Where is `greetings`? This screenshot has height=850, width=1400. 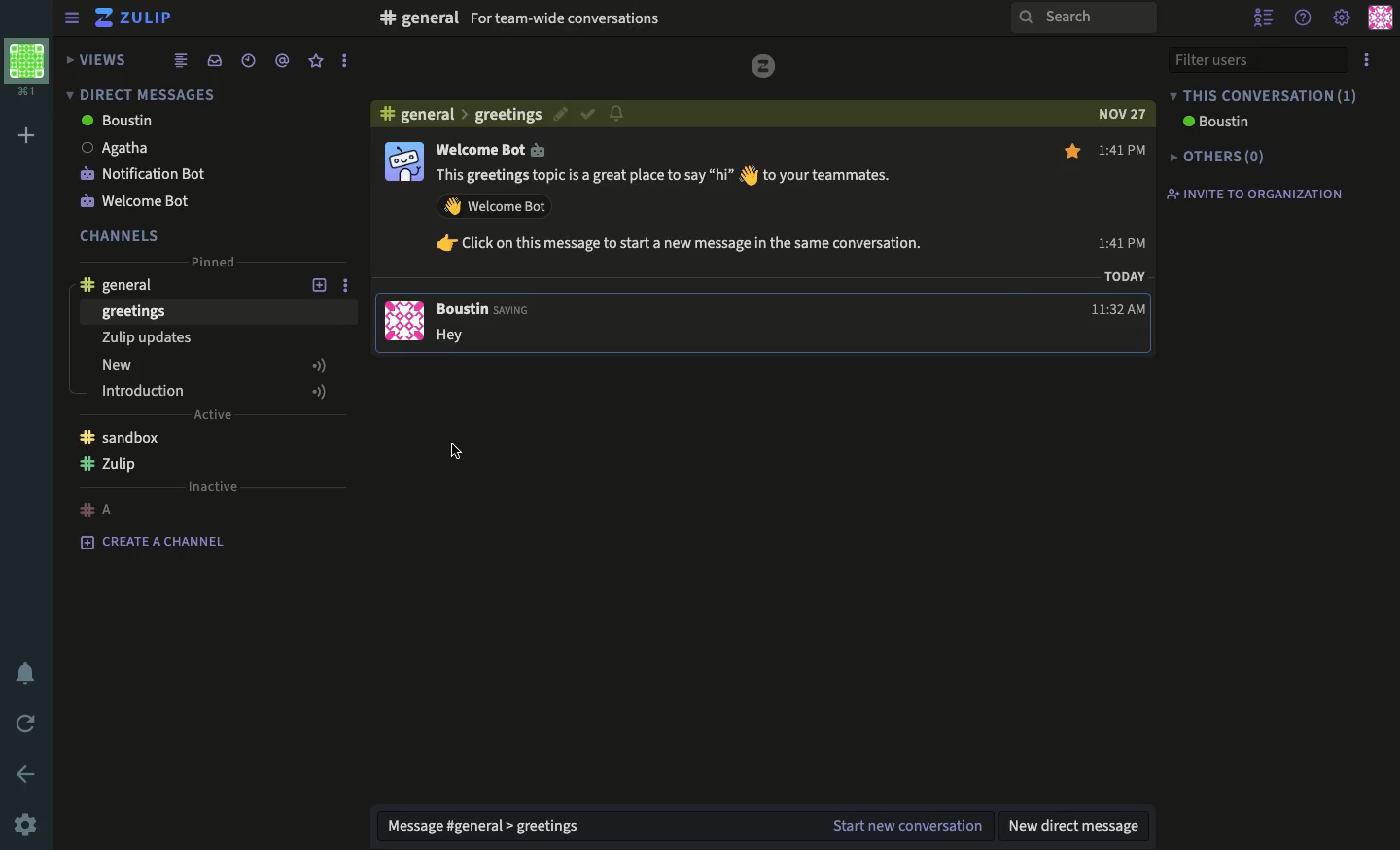 greetings is located at coordinates (135, 313).